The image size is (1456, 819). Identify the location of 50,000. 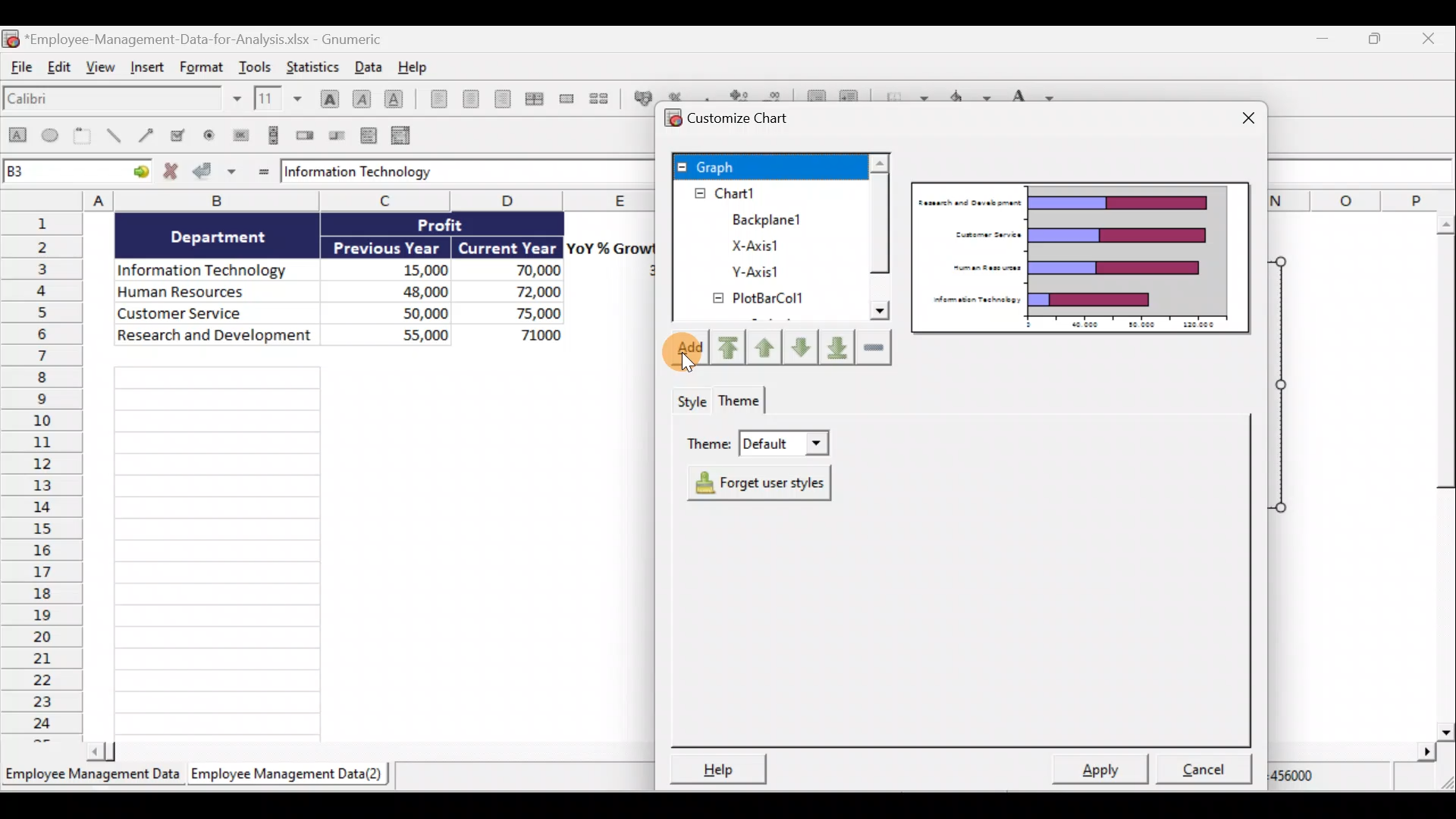
(409, 312).